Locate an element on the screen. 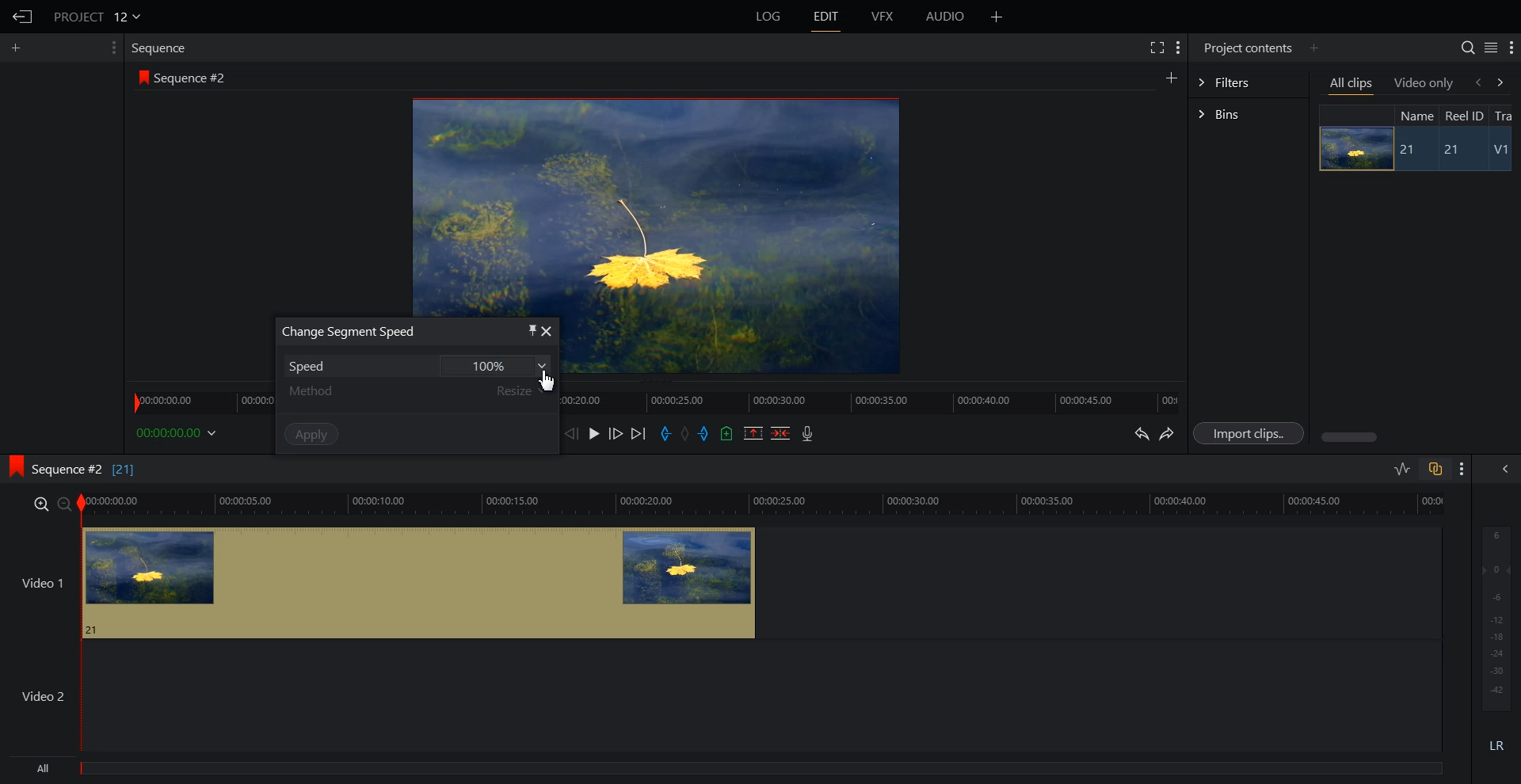 The image size is (1521, 784). Add an Cue in current position is located at coordinates (727, 433).